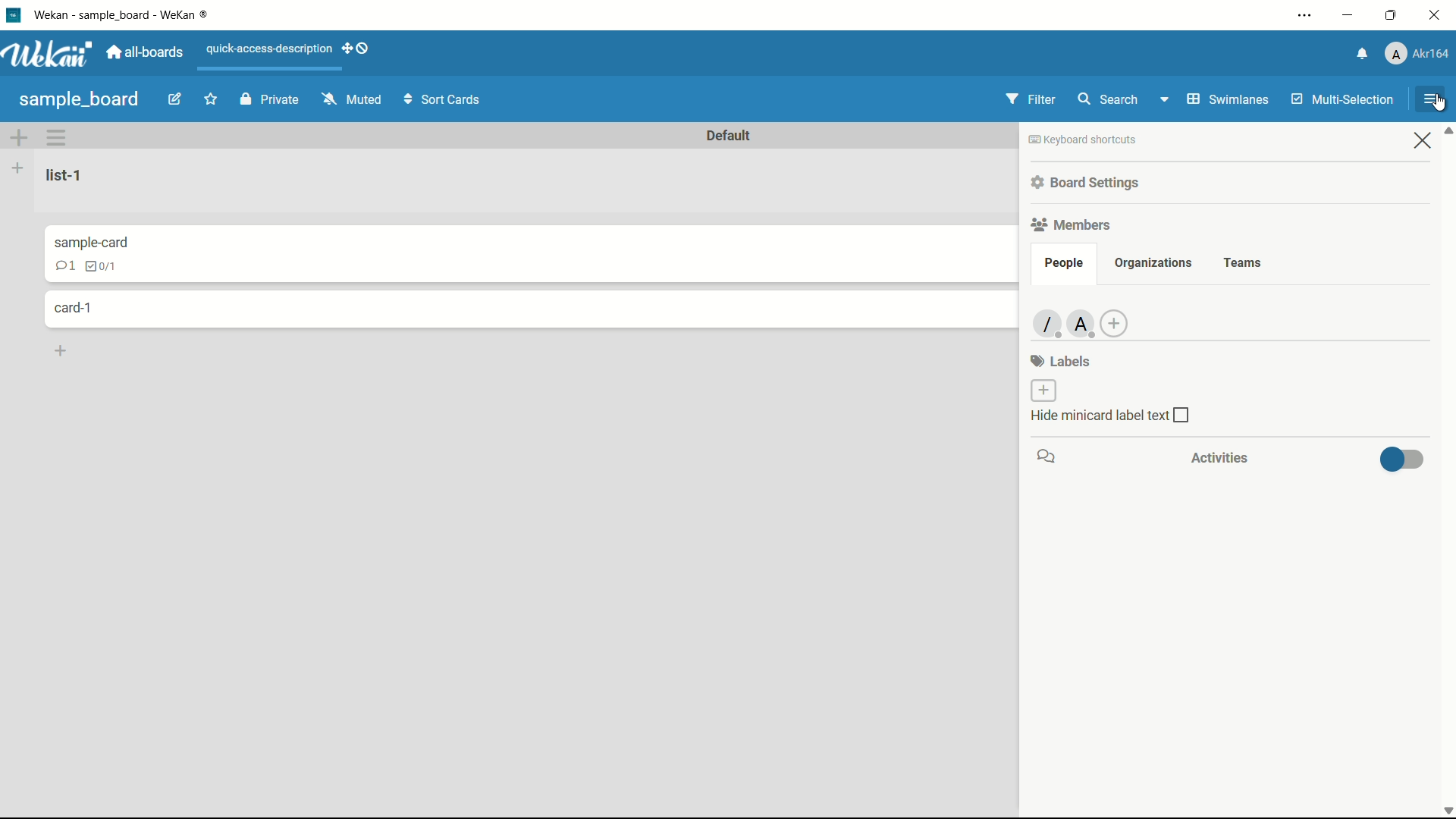 This screenshot has height=819, width=1456. Describe the element at coordinates (178, 101) in the screenshot. I see `edit` at that location.